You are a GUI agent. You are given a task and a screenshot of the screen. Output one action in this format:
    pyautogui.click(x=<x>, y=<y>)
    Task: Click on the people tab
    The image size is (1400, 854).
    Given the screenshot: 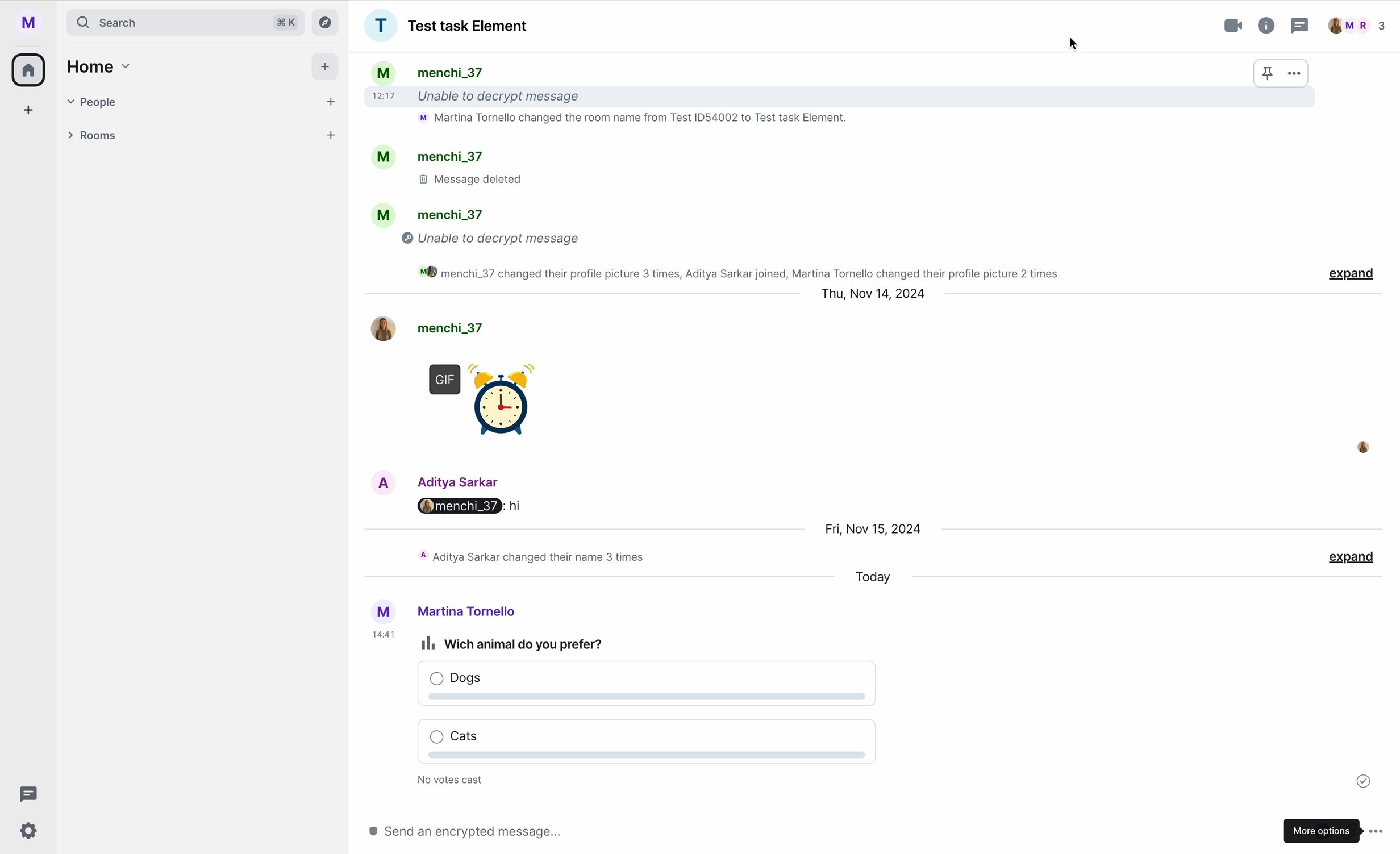 What is the action you would take?
    pyautogui.click(x=203, y=102)
    